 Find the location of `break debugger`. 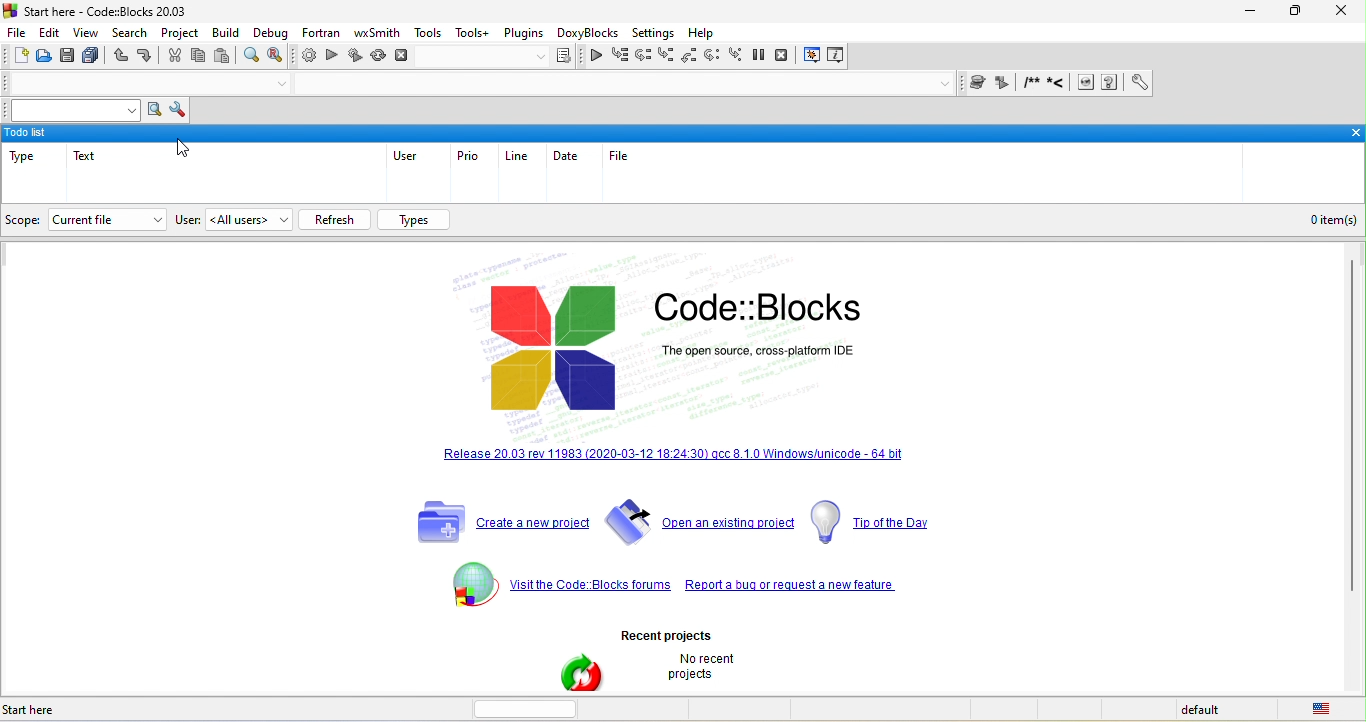

break debugger is located at coordinates (765, 57).